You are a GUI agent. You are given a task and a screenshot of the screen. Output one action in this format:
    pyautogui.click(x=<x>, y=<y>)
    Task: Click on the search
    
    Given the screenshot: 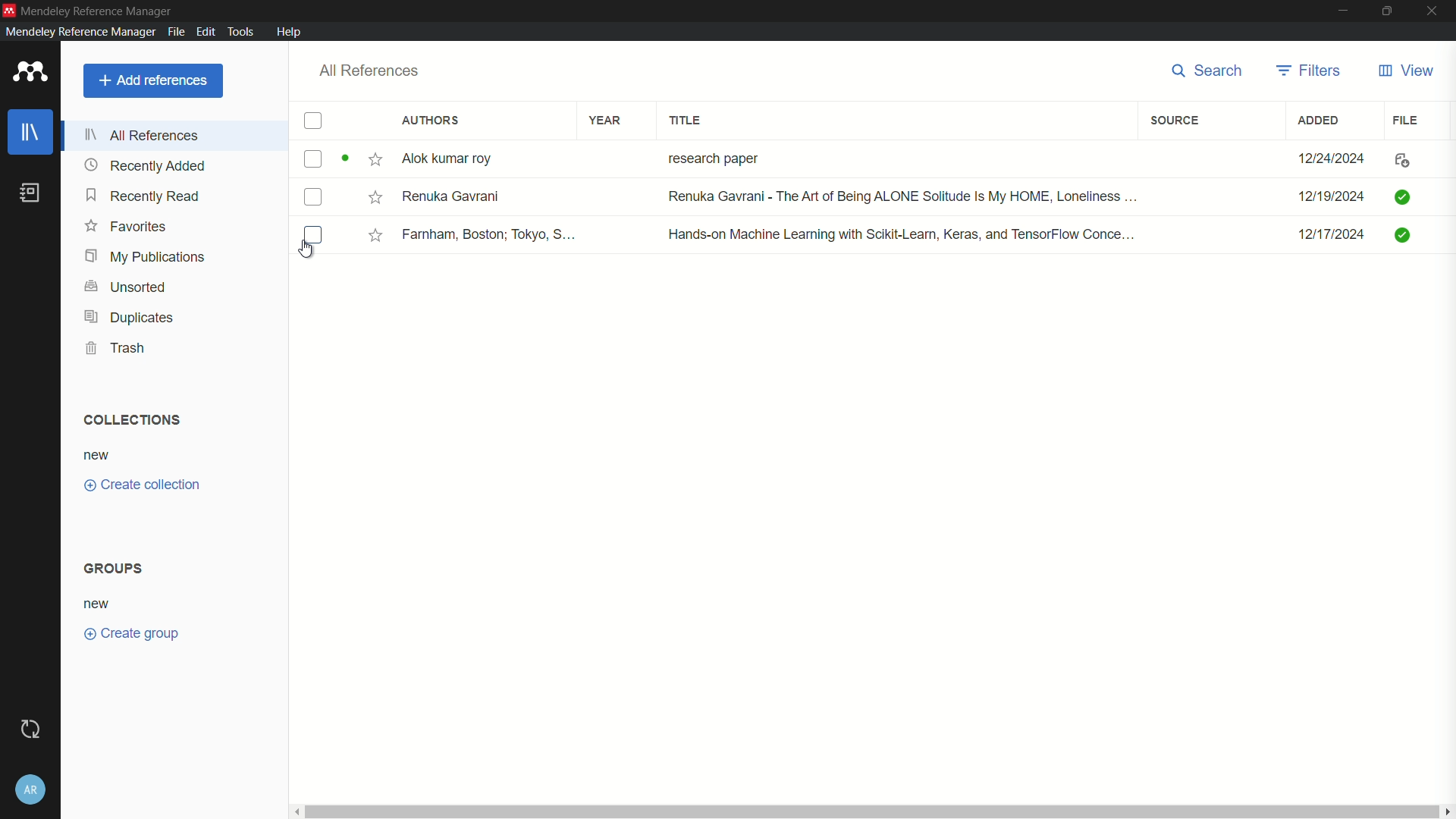 What is the action you would take?
    pyautogui.click(x=1209, y=71)
    